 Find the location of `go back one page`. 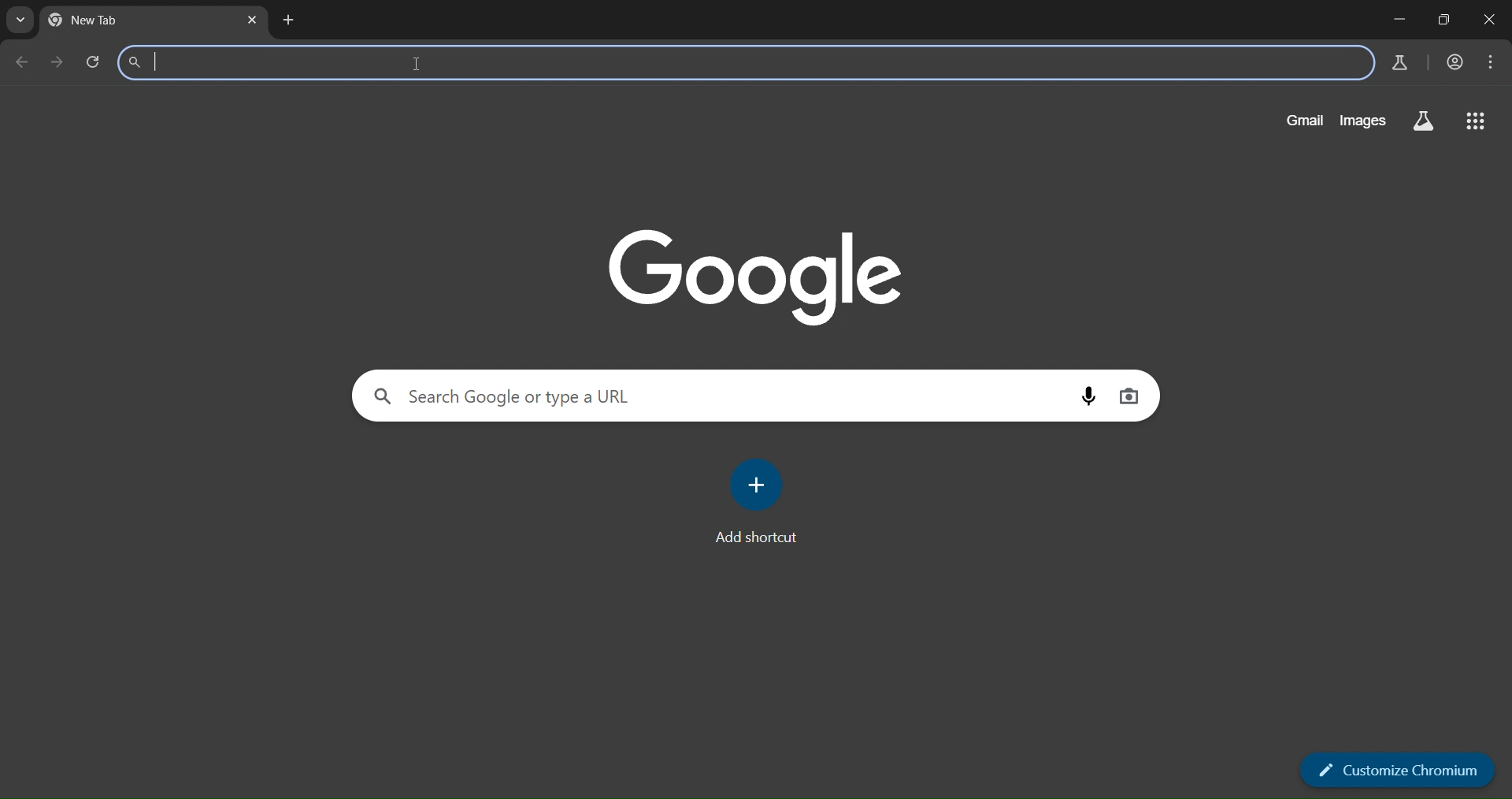

go back one page is located at coordinates (24, 61).